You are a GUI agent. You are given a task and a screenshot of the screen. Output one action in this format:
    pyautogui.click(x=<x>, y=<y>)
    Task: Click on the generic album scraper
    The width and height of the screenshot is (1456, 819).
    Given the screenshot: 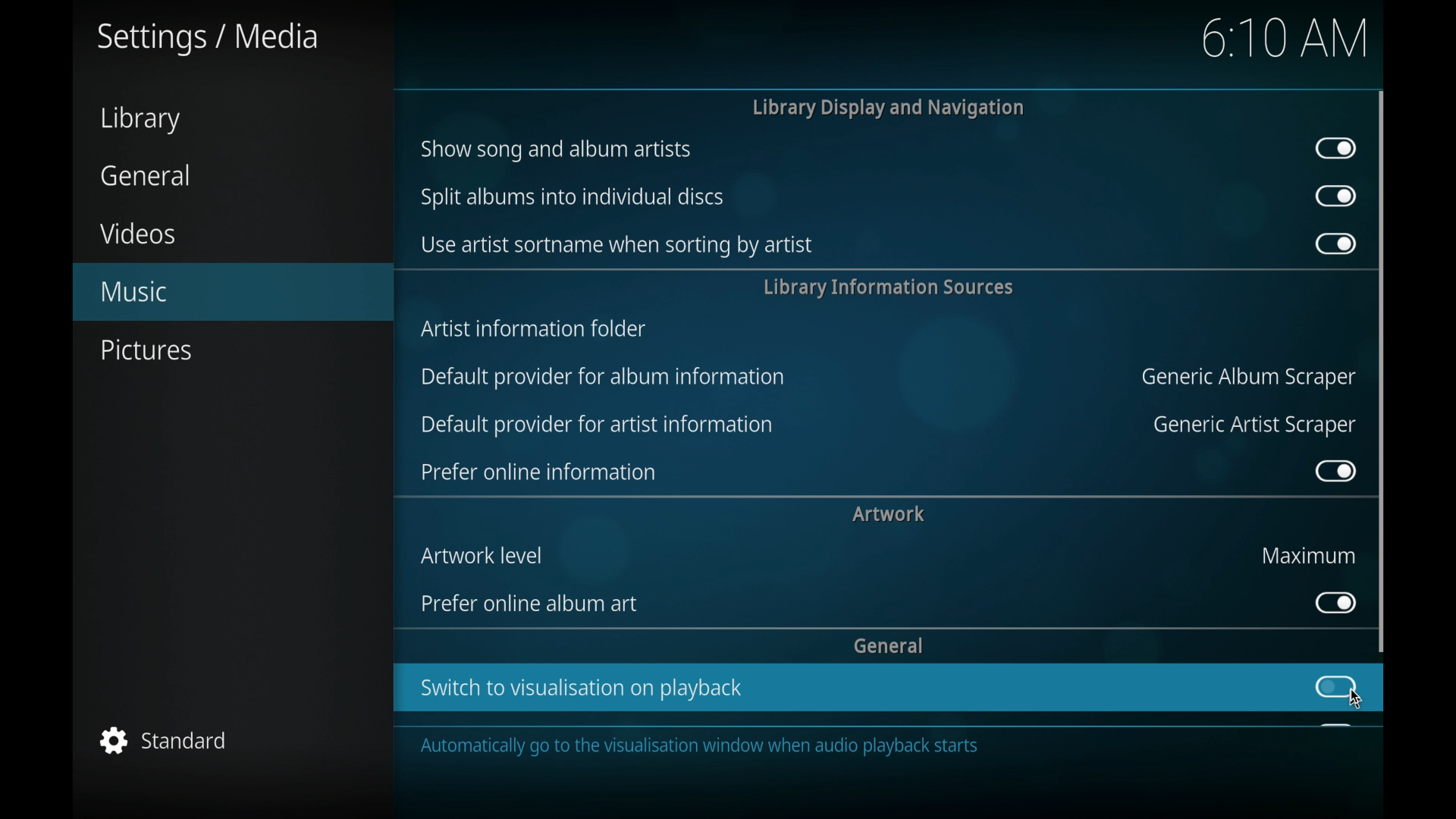 What is the action you would take?
    pyautogui.click(x=1246, y=378)
    